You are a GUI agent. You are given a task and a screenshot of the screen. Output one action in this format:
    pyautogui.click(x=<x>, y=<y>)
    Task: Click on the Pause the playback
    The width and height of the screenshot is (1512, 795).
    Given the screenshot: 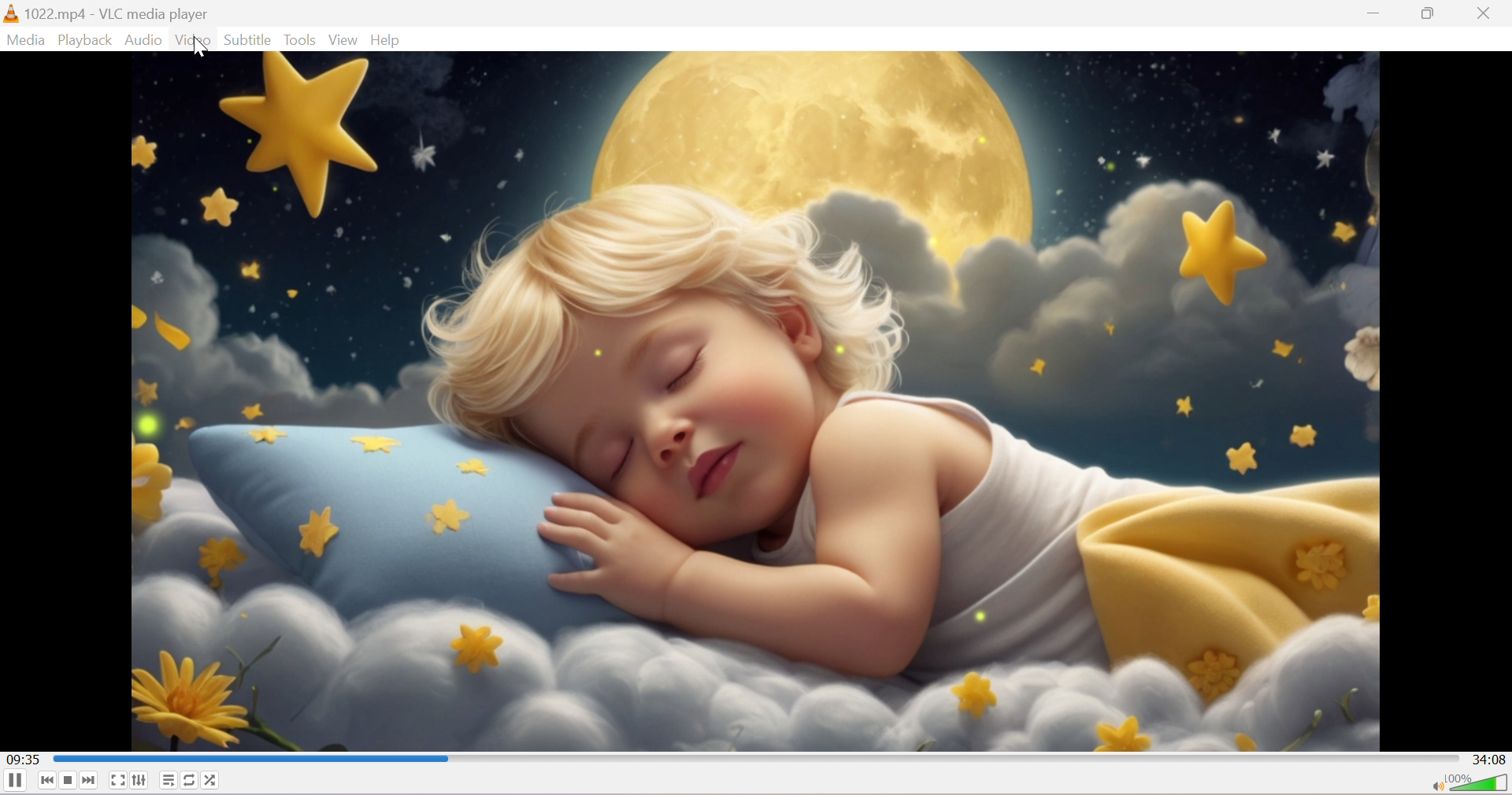 What is the action you would take?
    pyautogui.click(x=14, y=783)
    